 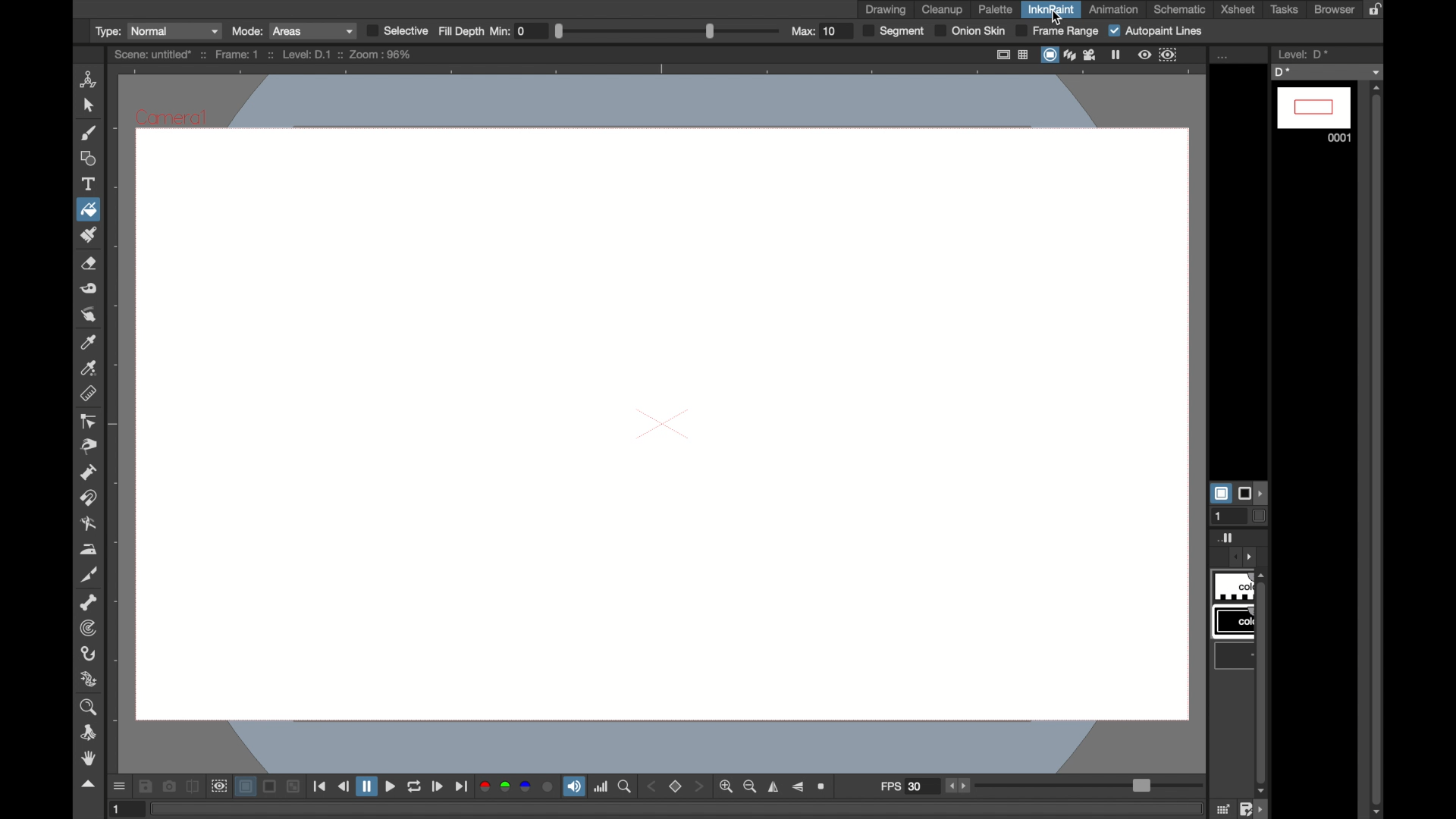 What do you see at coordinates (996, 9) in the screenshot?
I see `palette` at bounding box center [996, 9].